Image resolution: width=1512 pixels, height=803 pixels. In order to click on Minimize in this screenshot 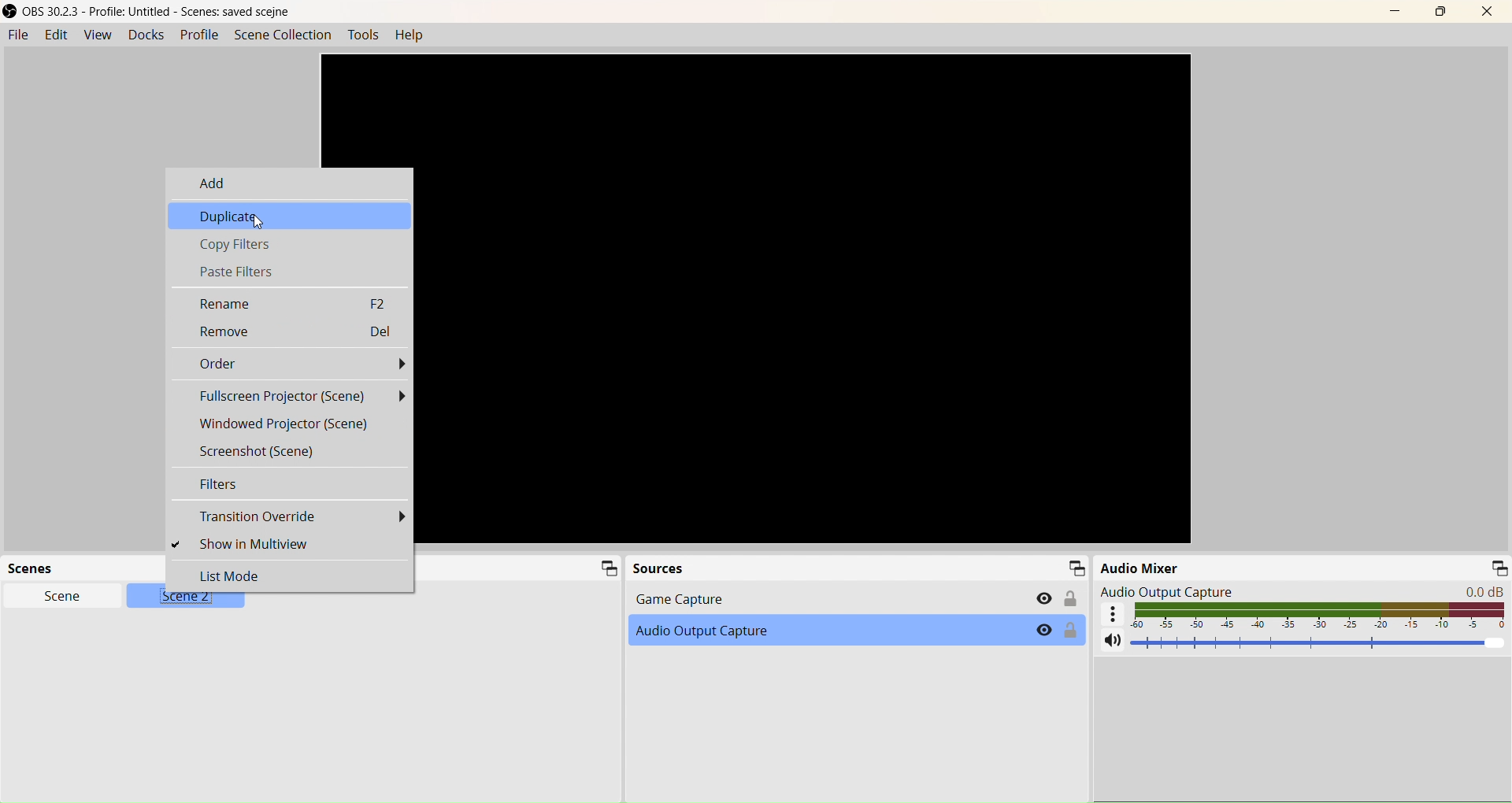, I will do `click(610, 568)`.